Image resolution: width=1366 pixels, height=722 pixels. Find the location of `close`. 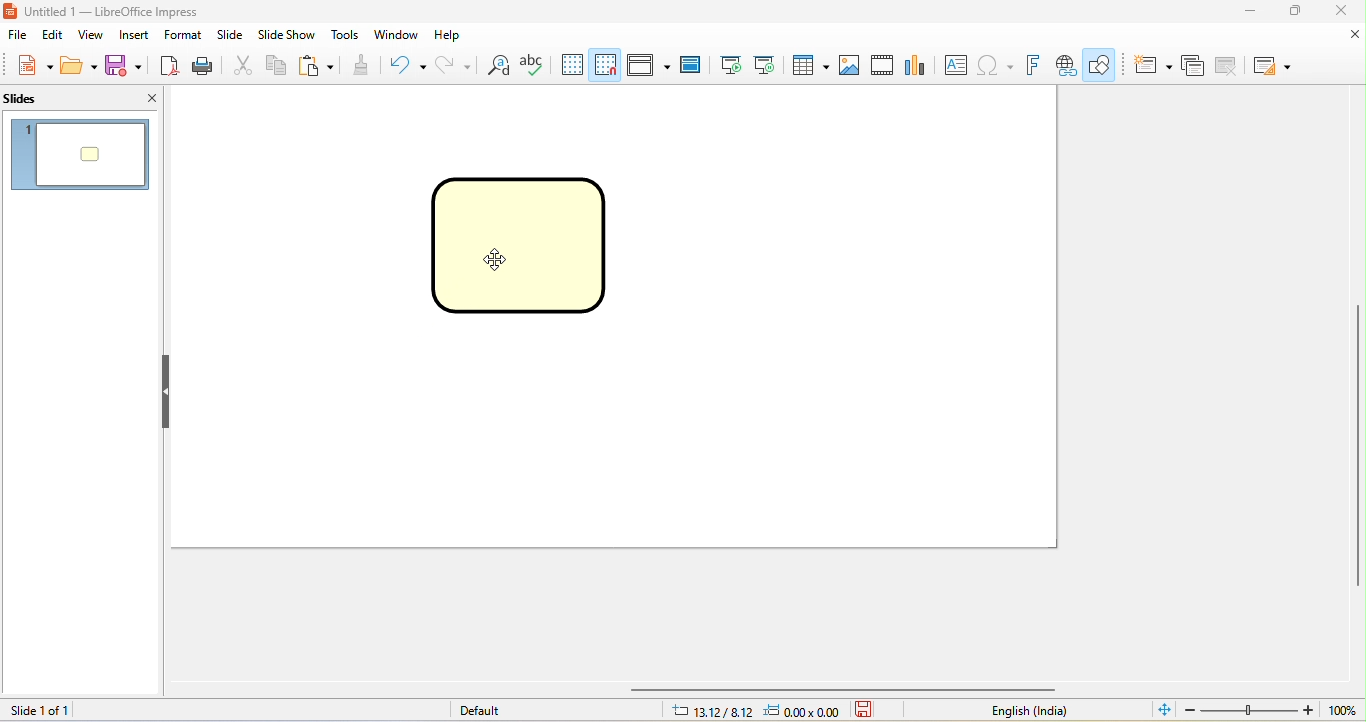

close is located at coordinates (1340, 37).